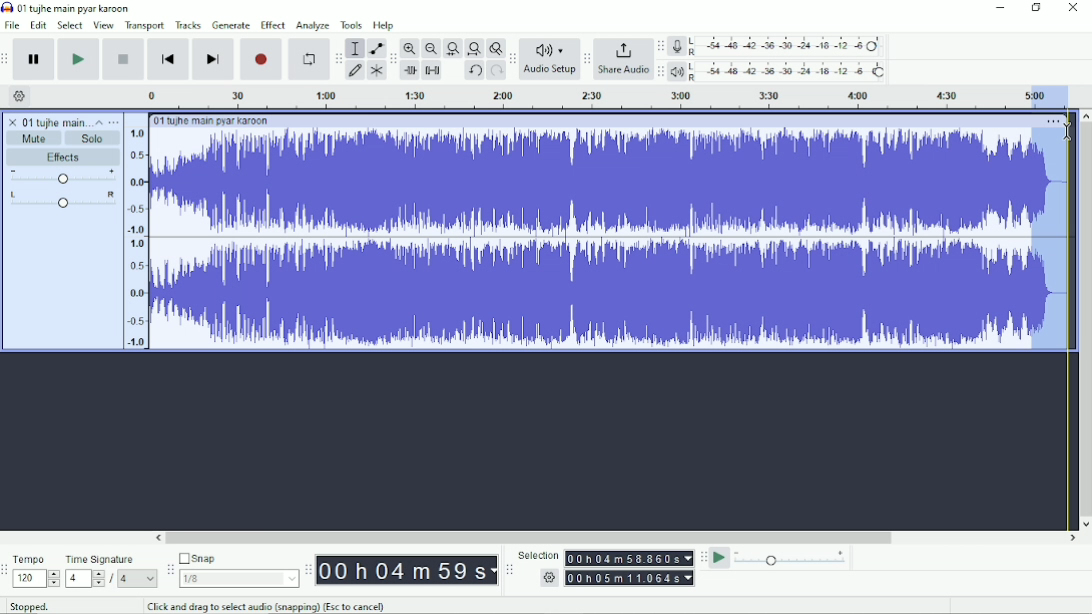 This screenshot has width=1092, height=614. I want to click on 4, so click(84, 580).